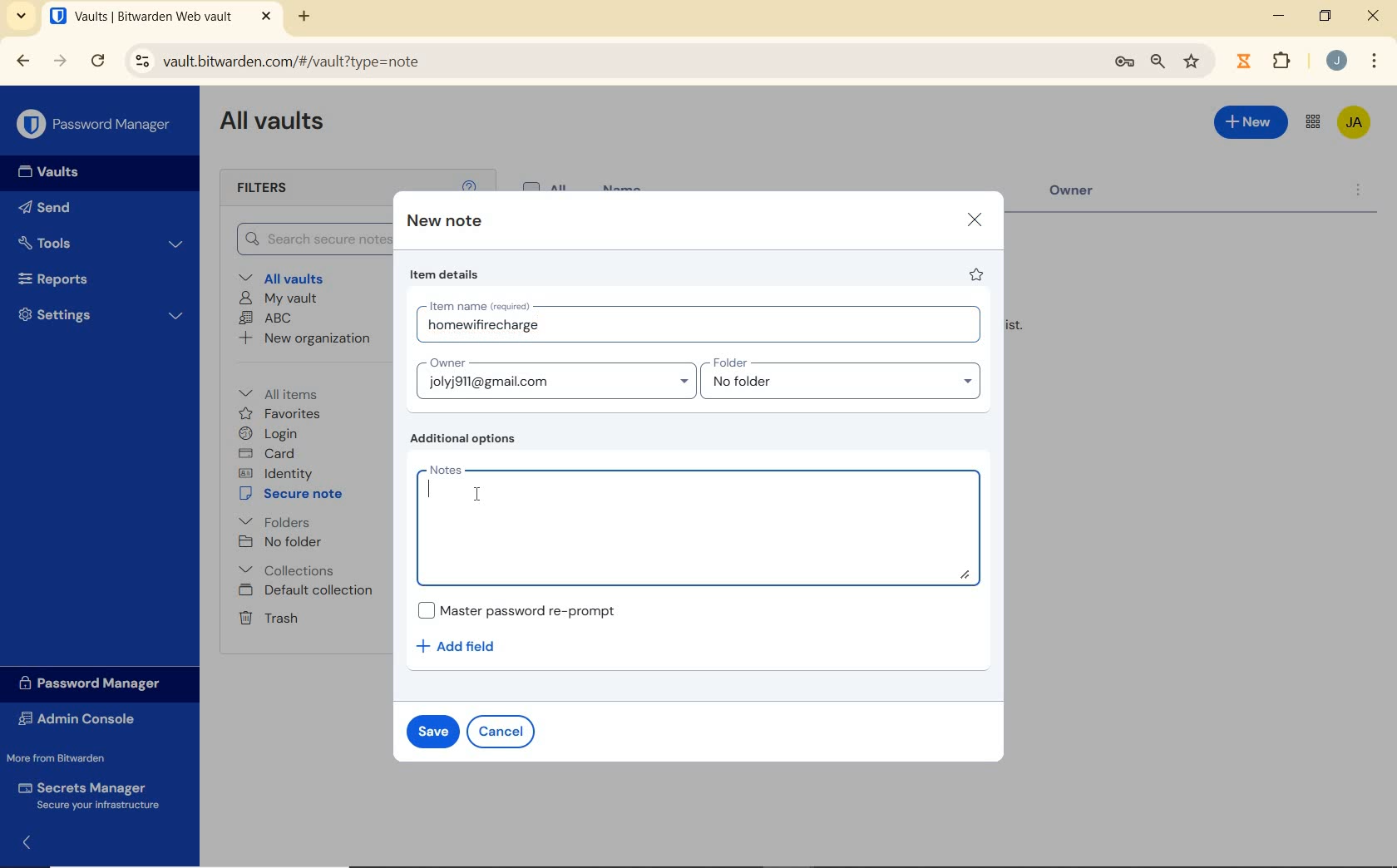  I want to click on New, so click(1251, 126).